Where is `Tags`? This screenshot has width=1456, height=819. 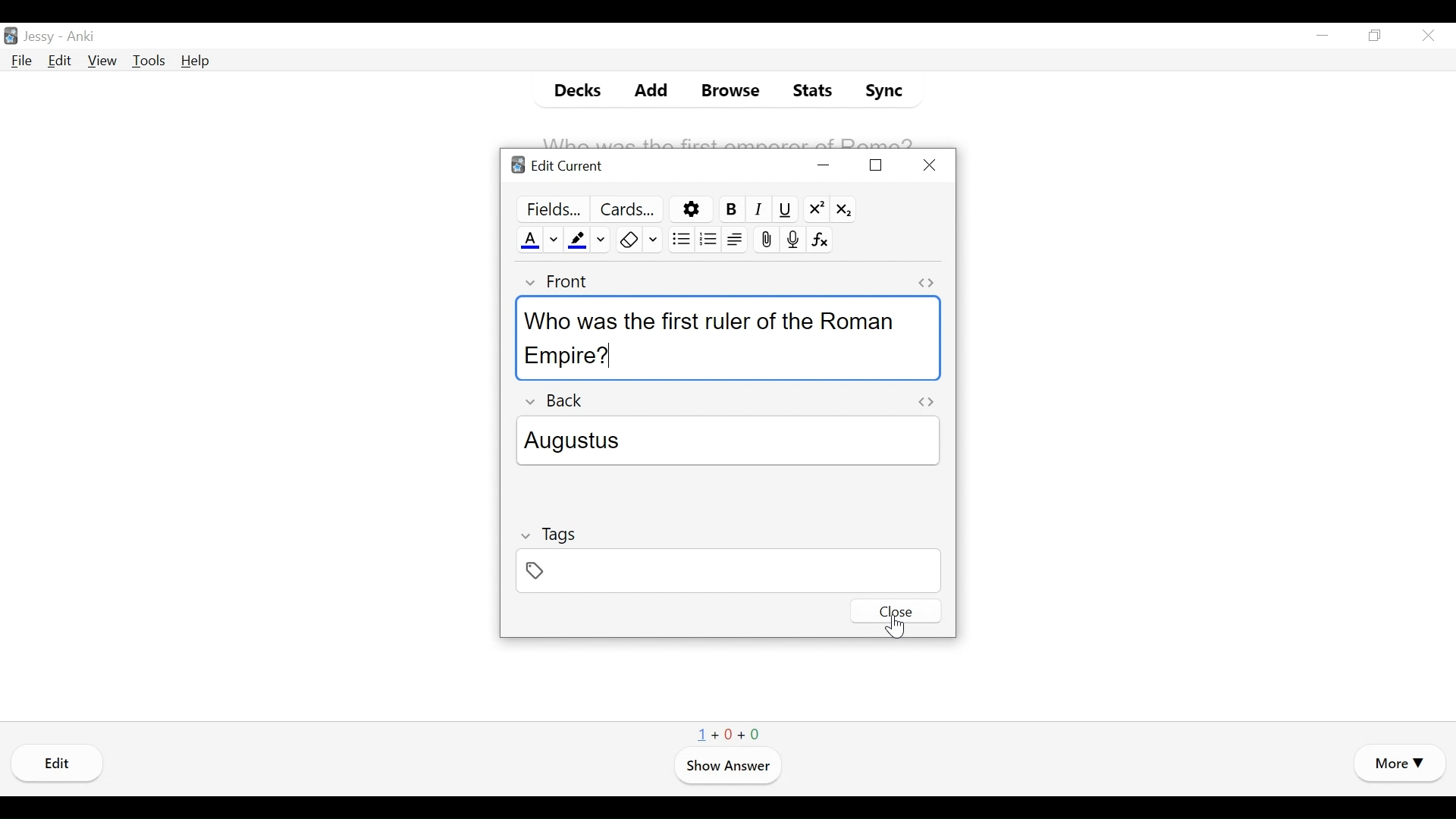
Tags is located at coordinates (553, 533).